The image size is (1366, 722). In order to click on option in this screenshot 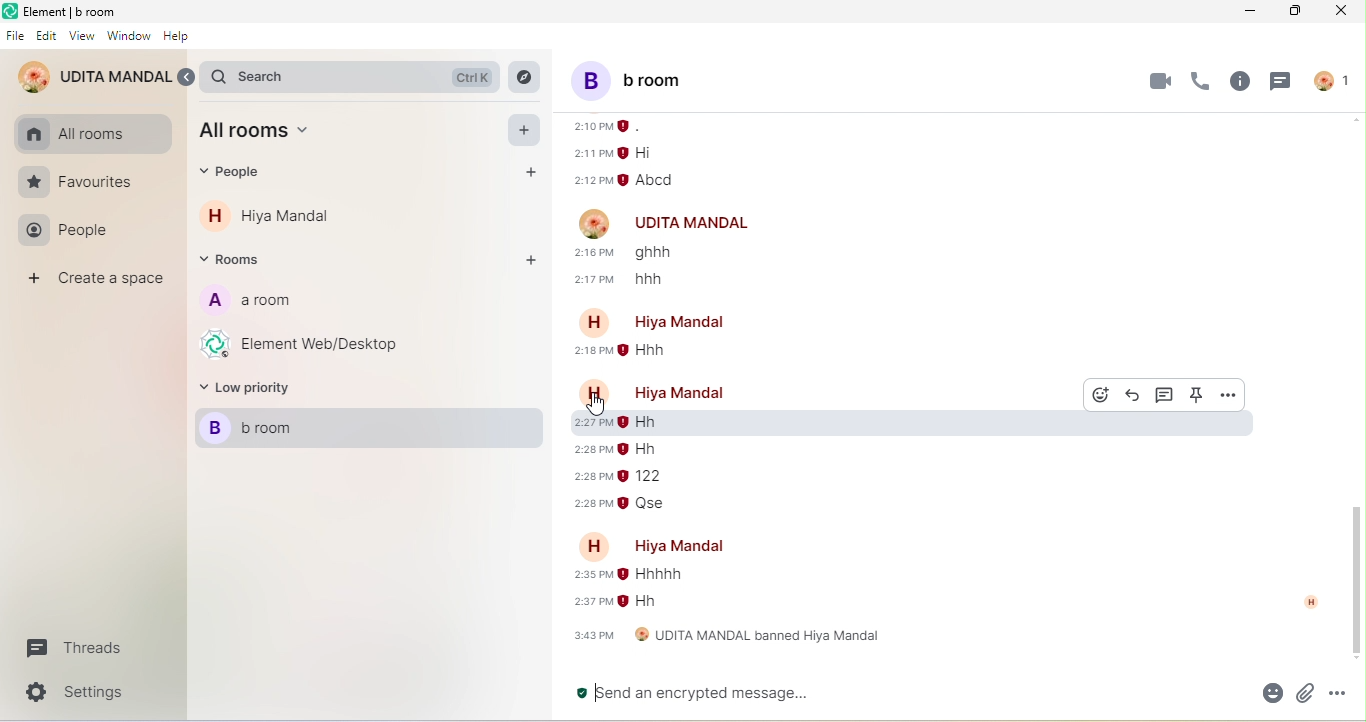, I will do `click(1338, 695)`.